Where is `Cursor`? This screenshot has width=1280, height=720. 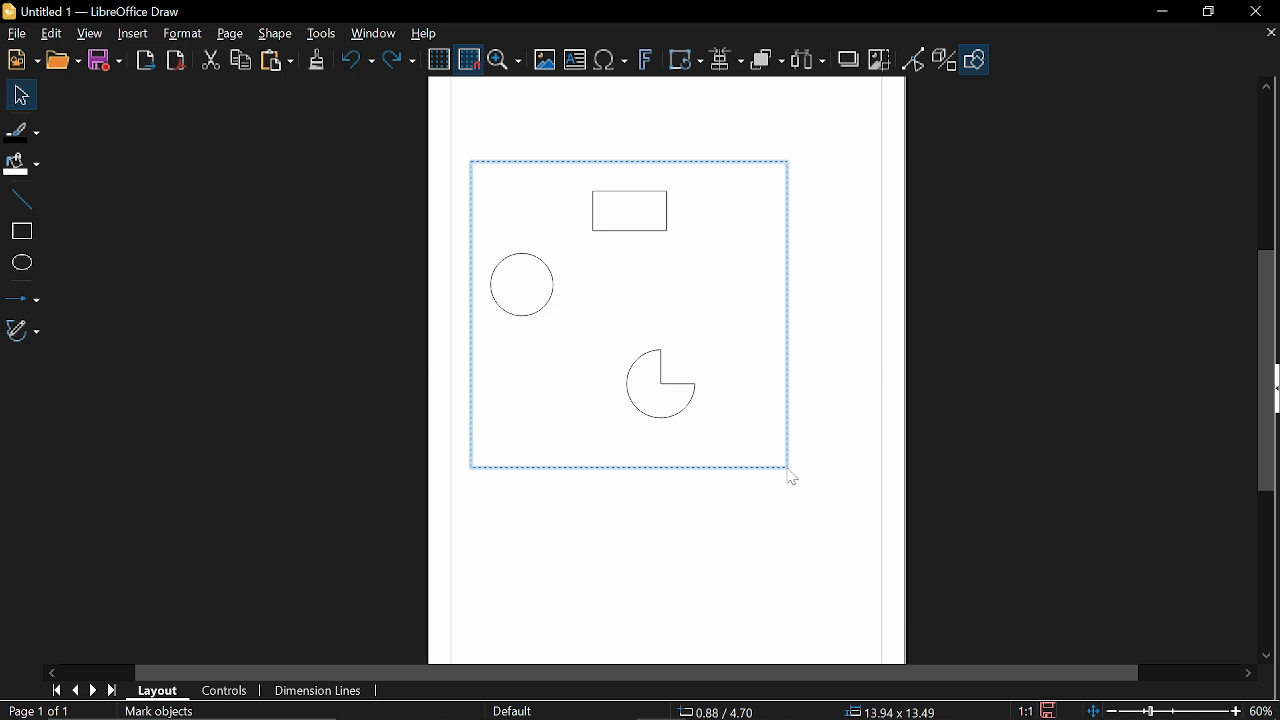 Cursor is located at coordinates (787, 478).